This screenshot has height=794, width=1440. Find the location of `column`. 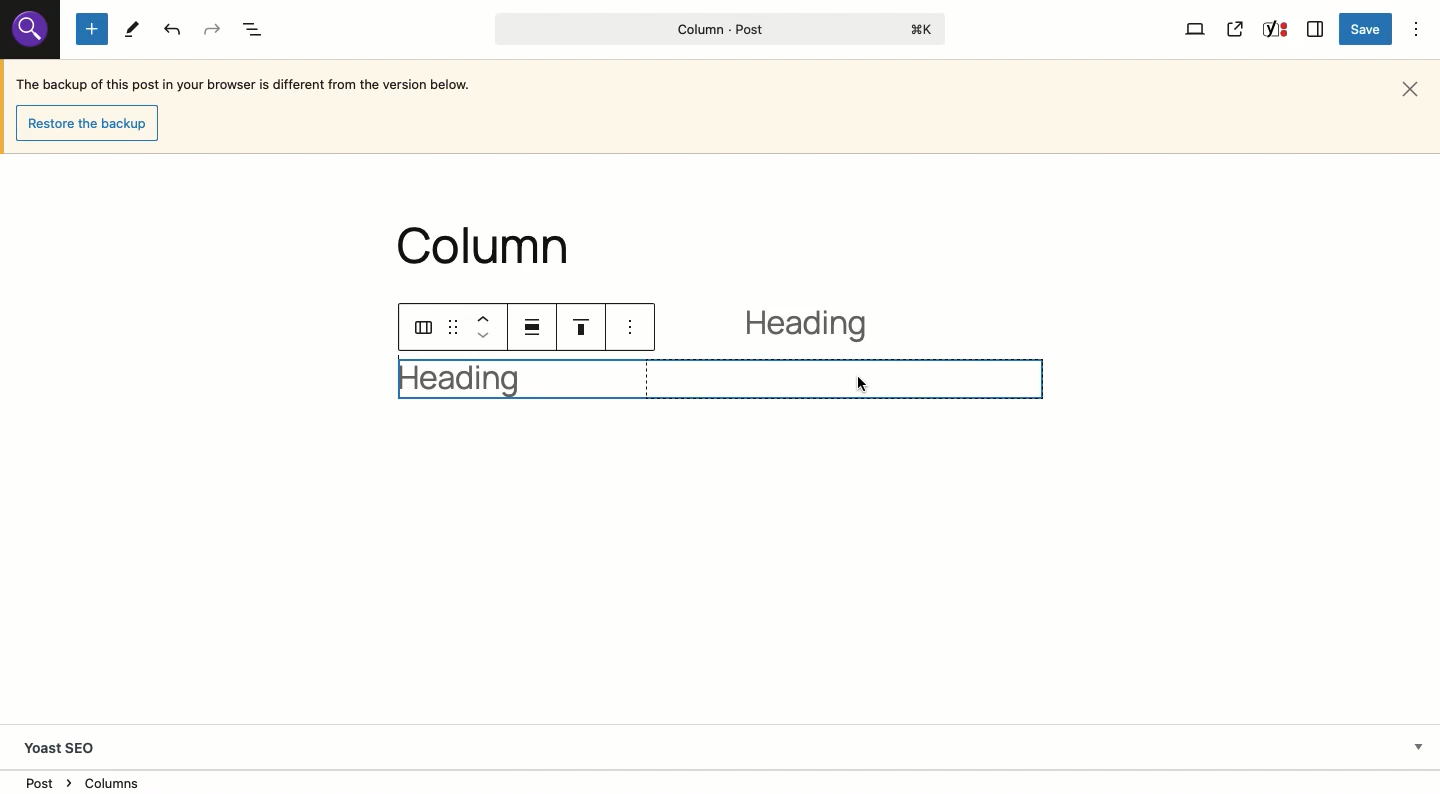

column is located at coordinates (491, 247).